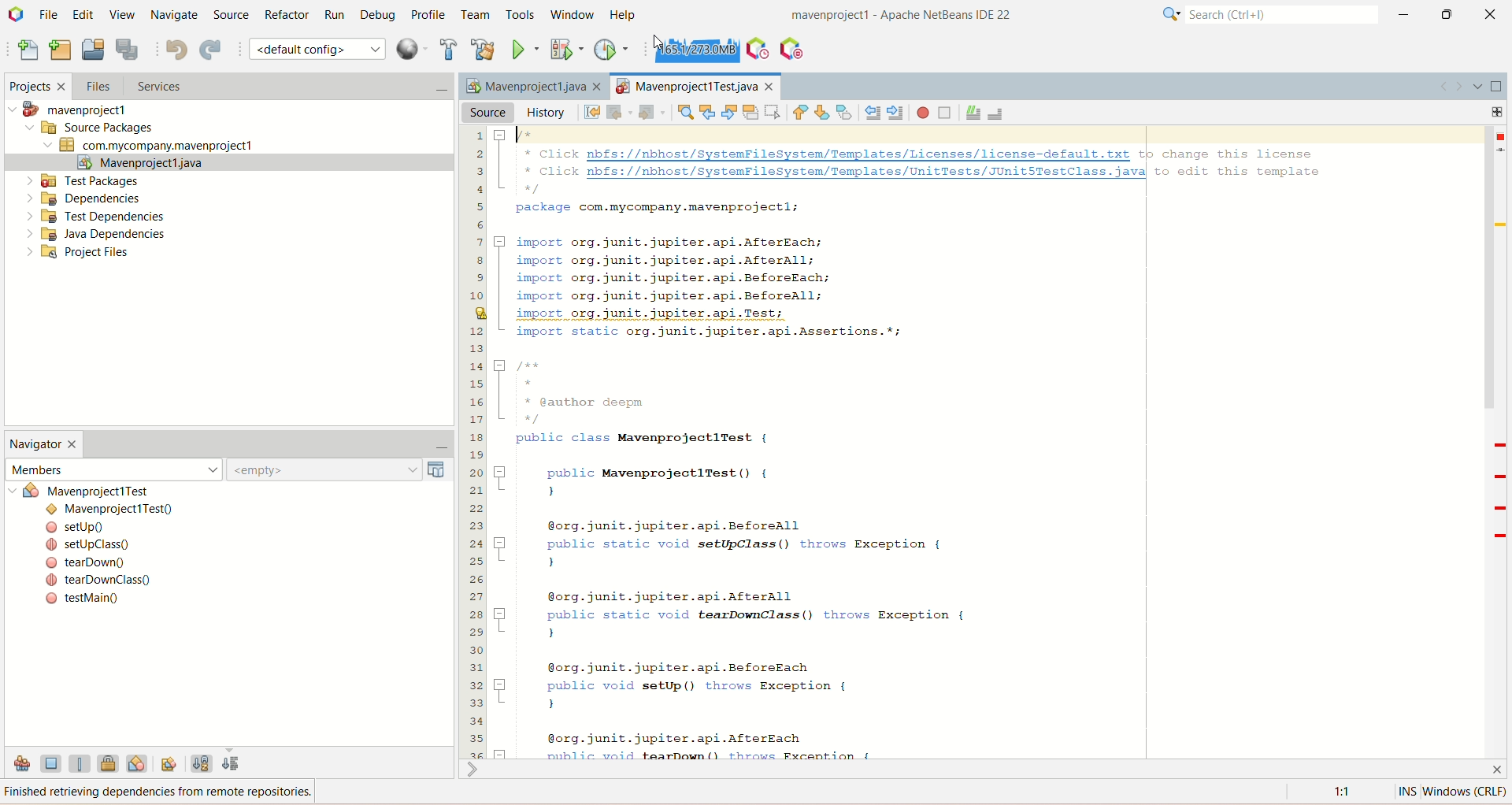  I want to click on sort by name, so click(201, 761).